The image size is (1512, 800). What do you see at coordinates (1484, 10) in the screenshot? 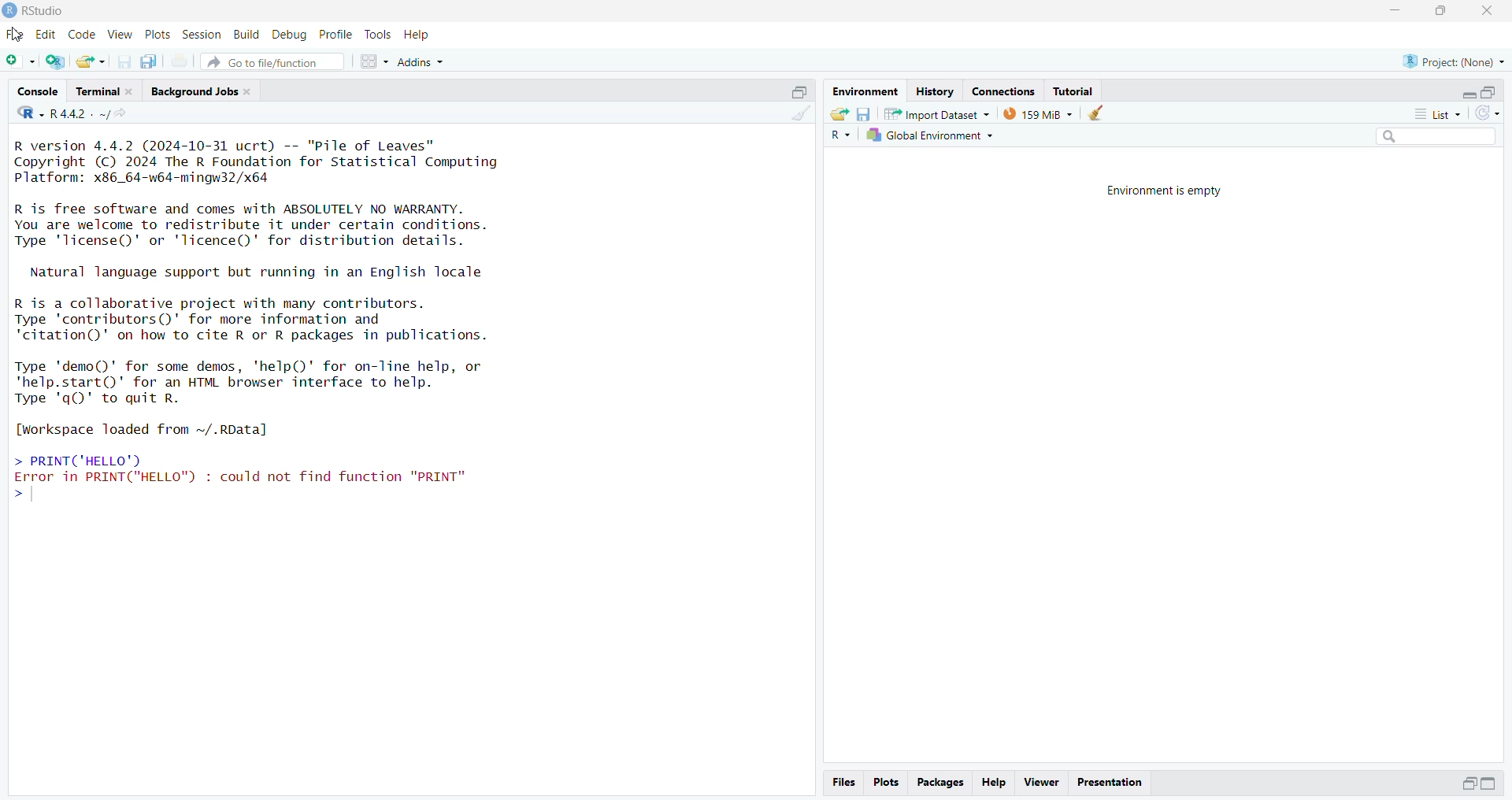
I see `close` at bounding box center [1484, 10].